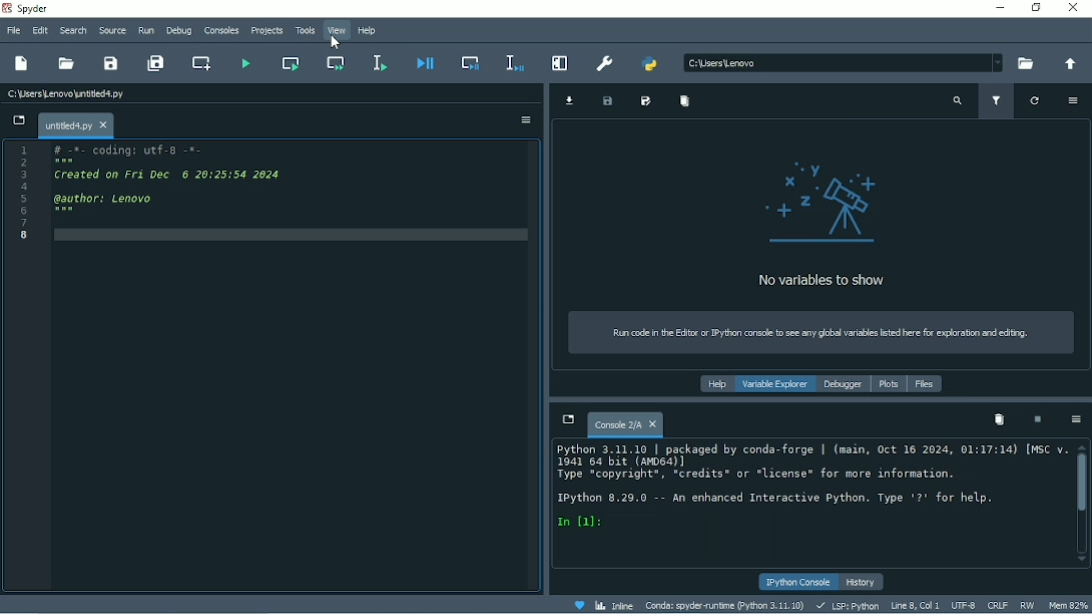 This screenshot has height=614, width=1092. I want to click on Debug cell, so click(470, 63).